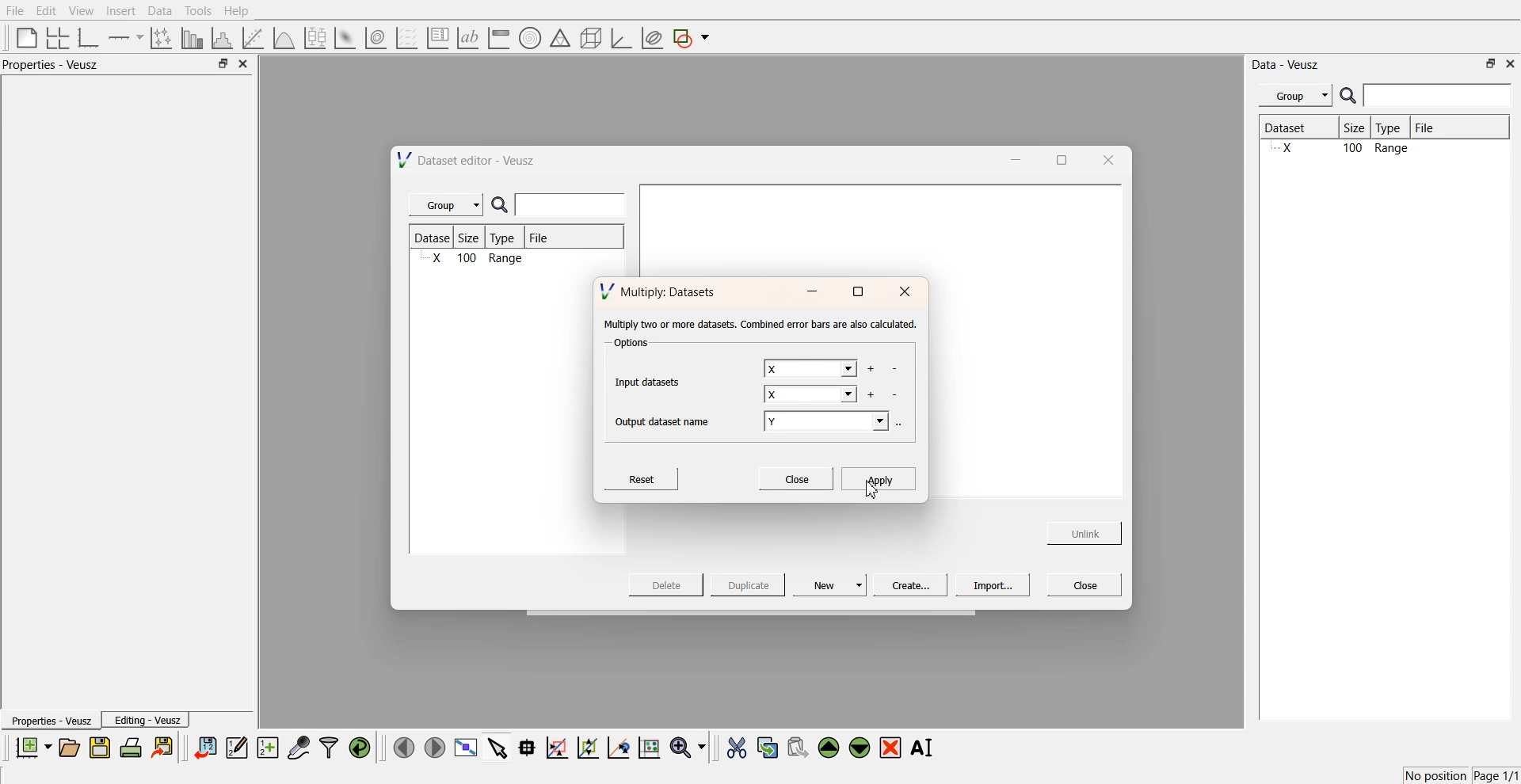 The width and height of the screenshot is (1521, 784). I want to click on plot a boxplot, so click(314, 36).